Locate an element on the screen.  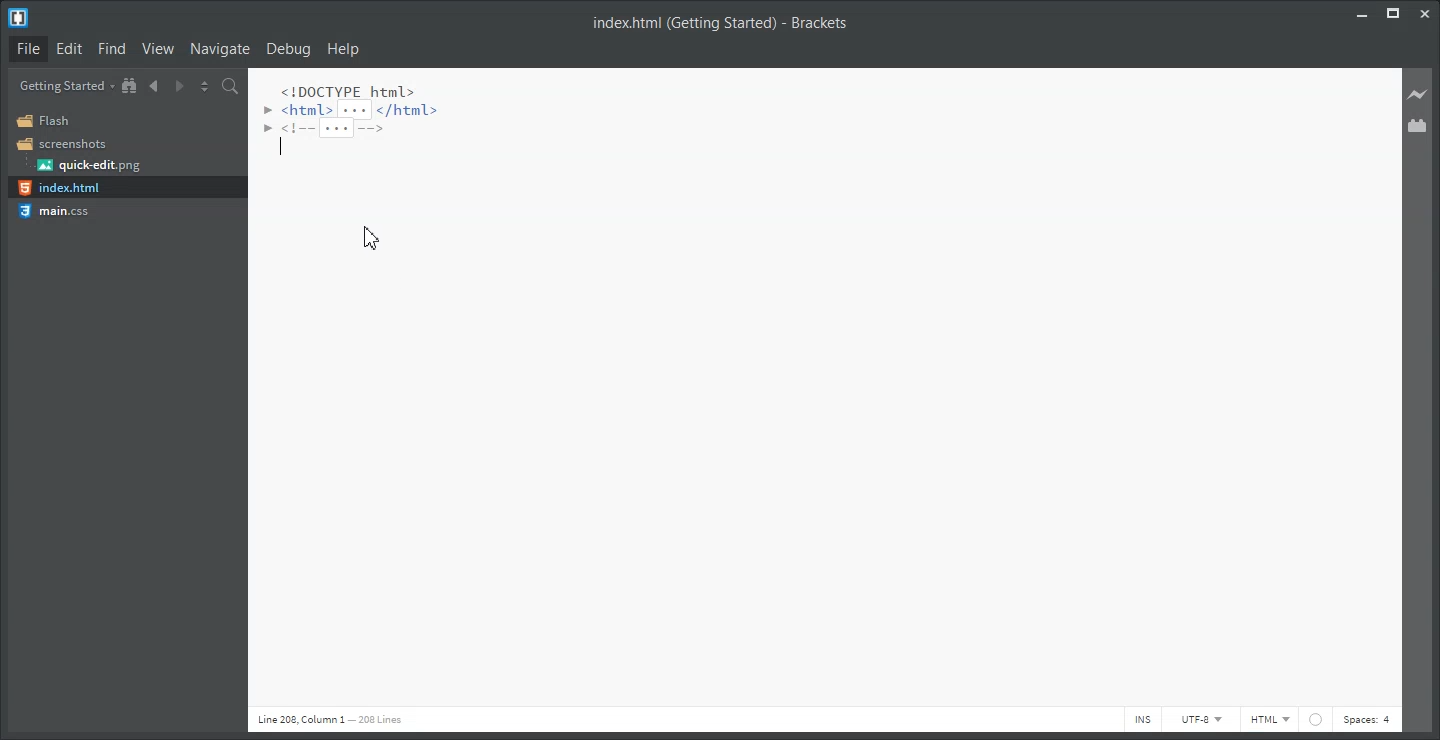
index.html is located at coordinates (59, 187).